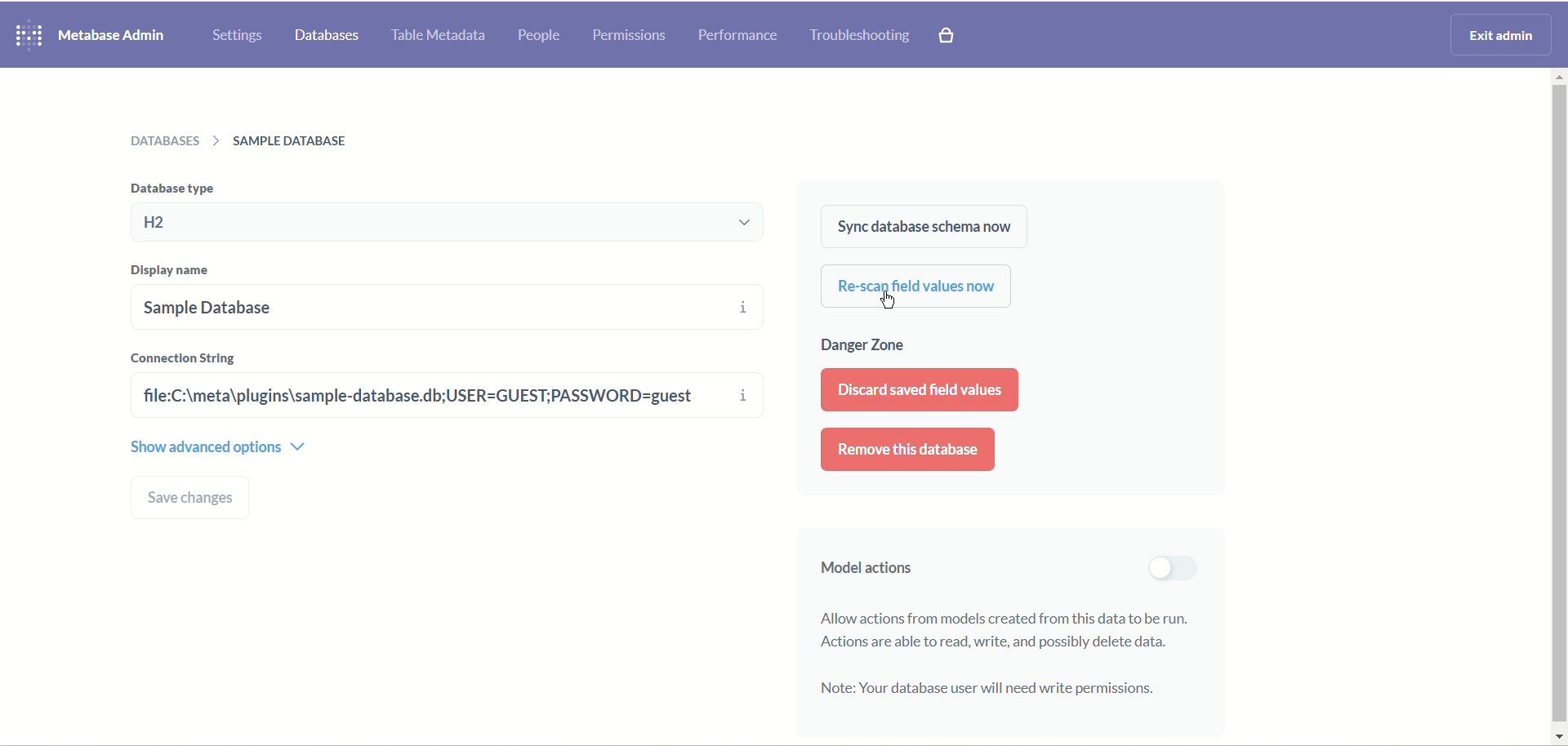 This screenshot has width=1568, height=746. I want to click on table metabase, so click(435, 37).